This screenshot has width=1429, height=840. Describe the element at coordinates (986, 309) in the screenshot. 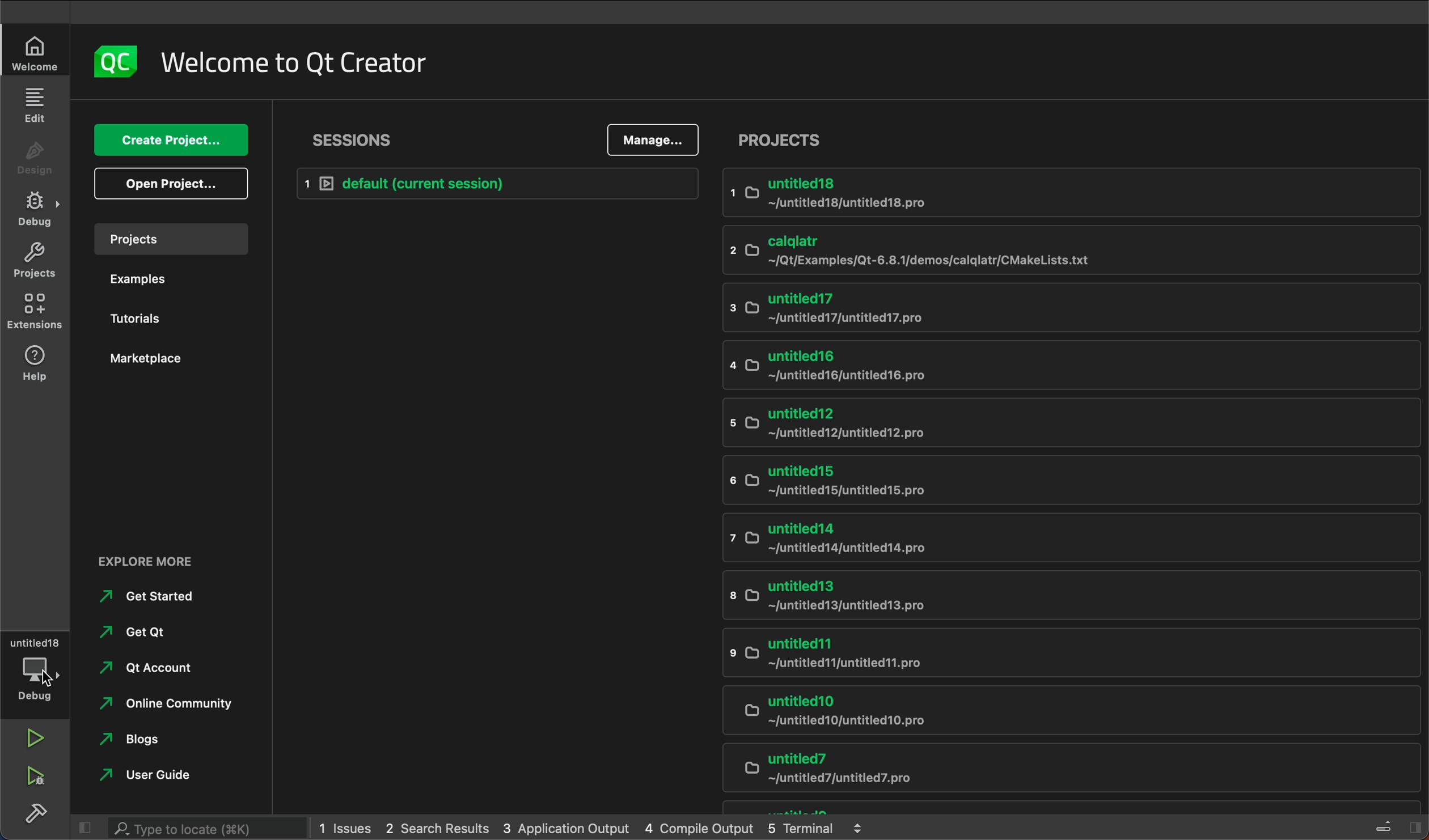

I see `untitled17` at that location.